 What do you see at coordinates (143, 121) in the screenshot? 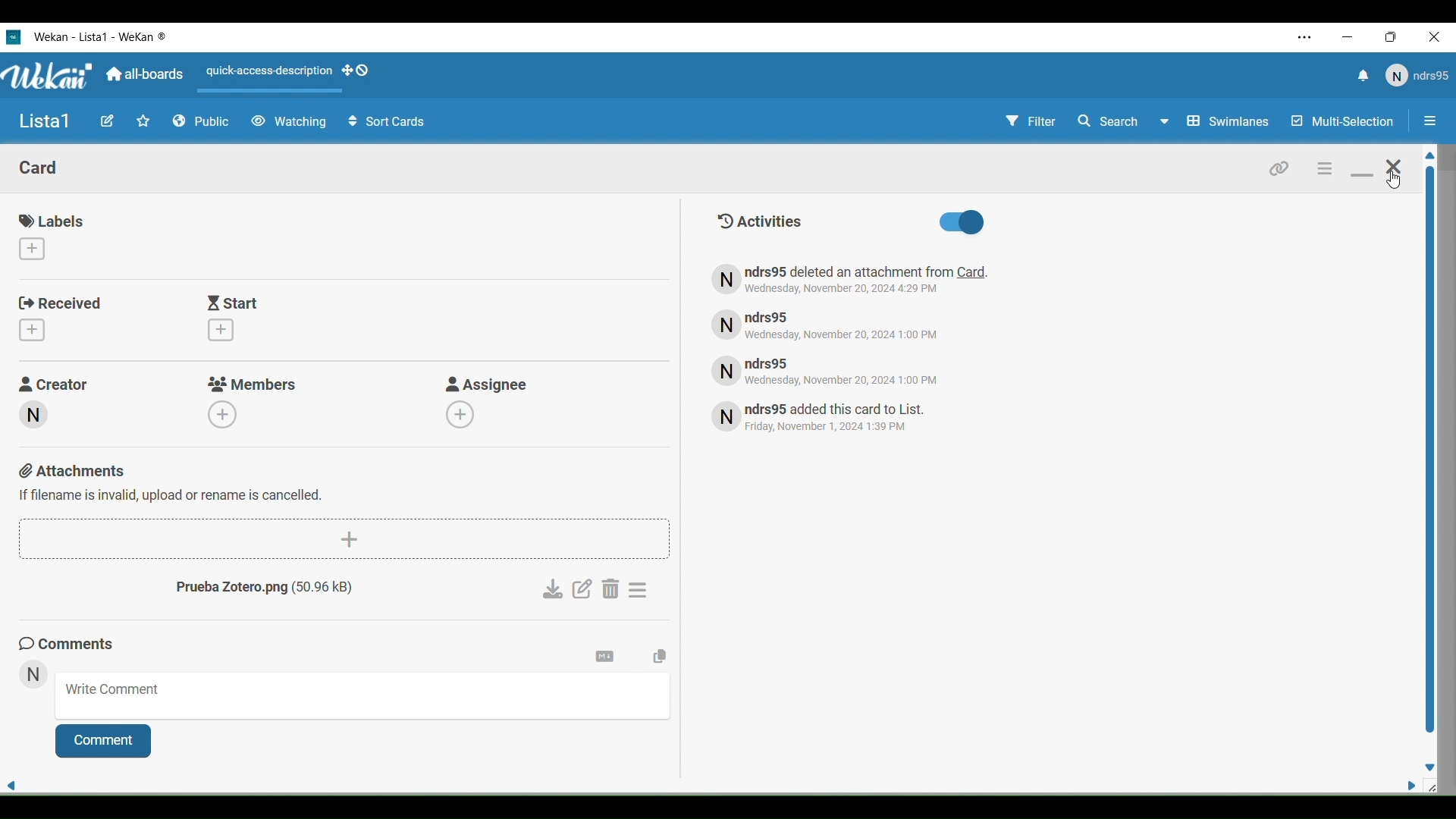
I see `Favorites` at bounding box center [143, 121].